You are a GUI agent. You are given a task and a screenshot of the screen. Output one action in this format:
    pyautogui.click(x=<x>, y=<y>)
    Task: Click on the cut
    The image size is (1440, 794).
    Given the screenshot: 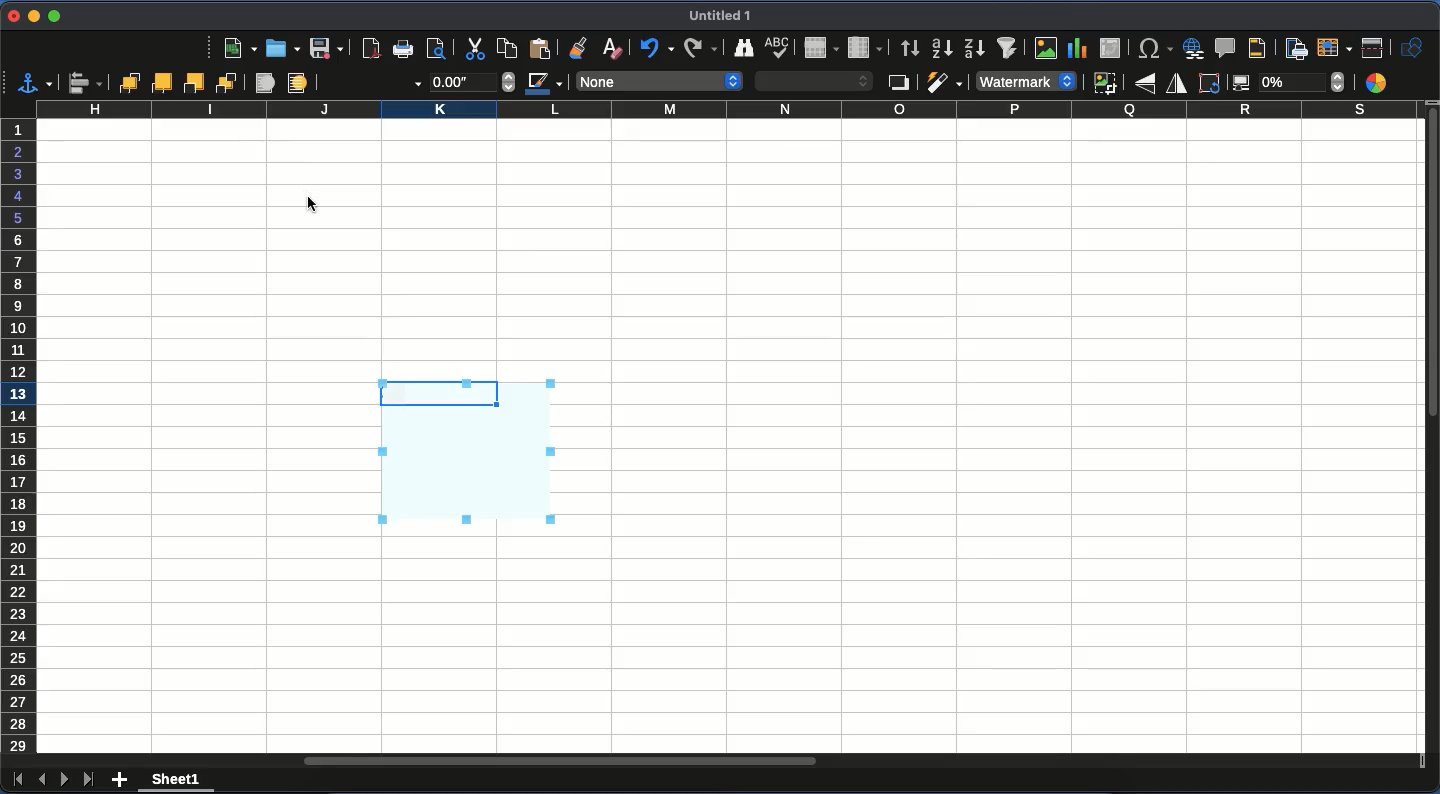 What is the action you would take?
    pyautogui.click(x=472, y=50)
    